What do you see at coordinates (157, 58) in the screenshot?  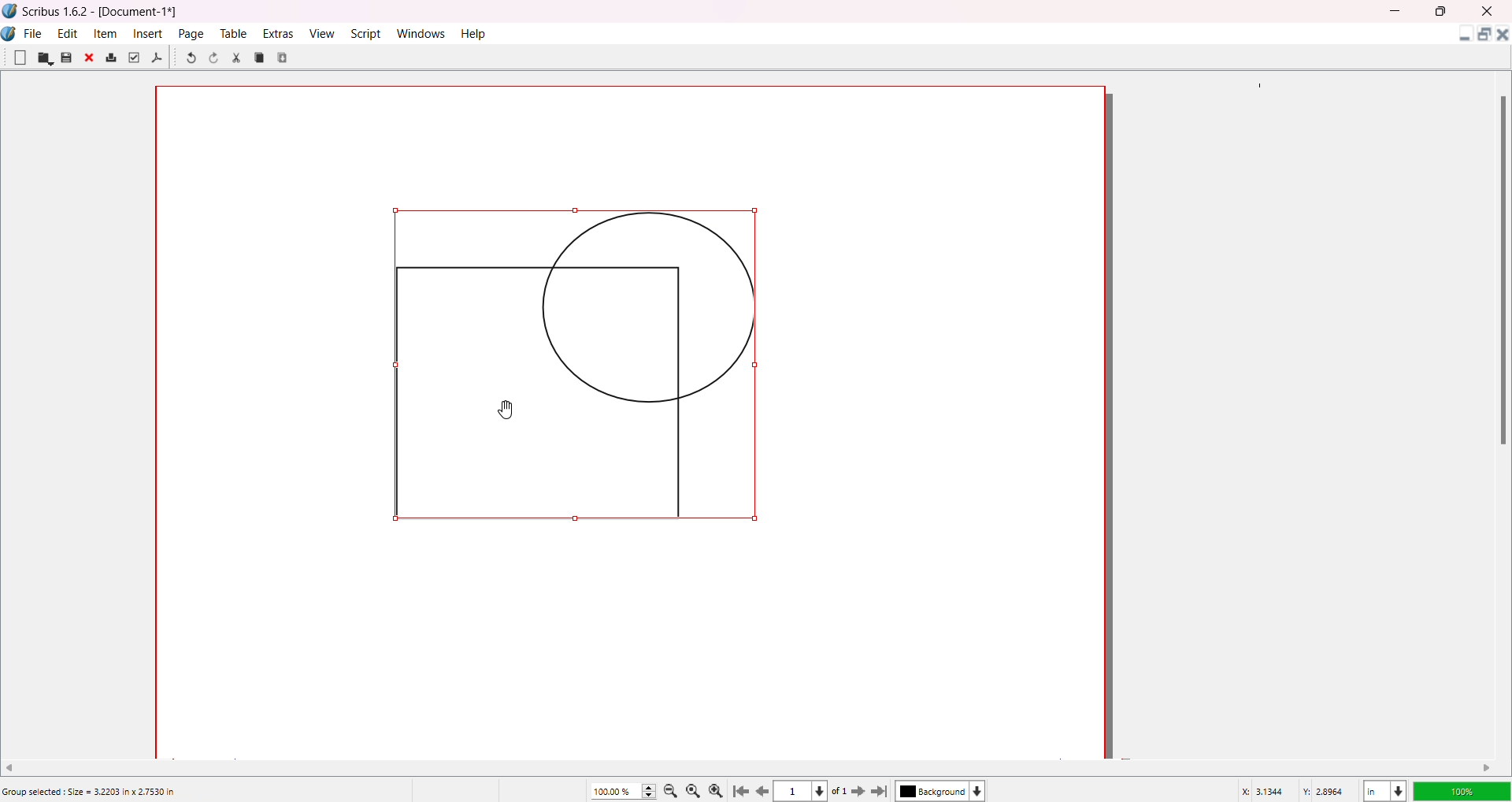 I see `Save as PDF` at bounding box center [157, 58].